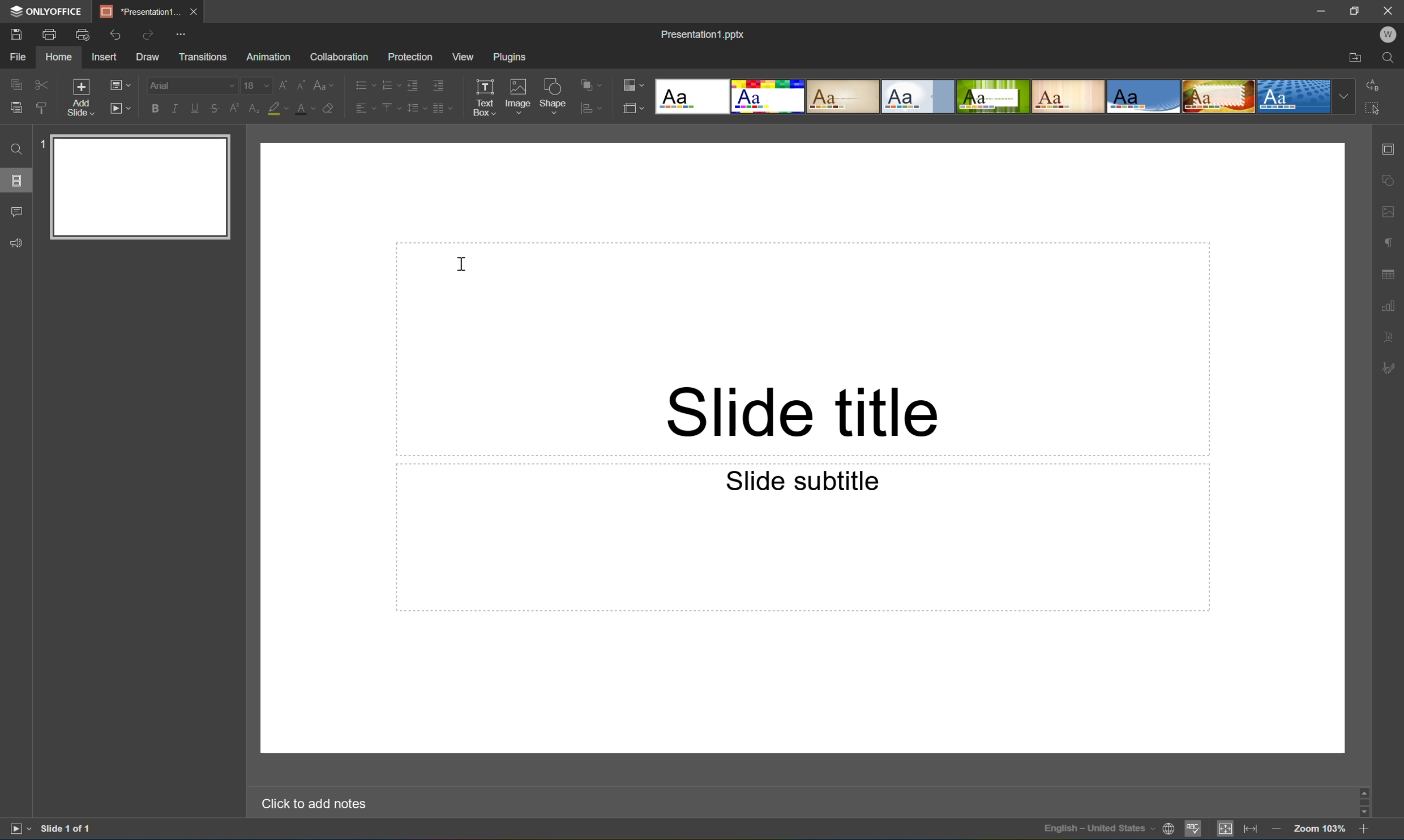 Image resolution: width=1404 pixels, height=840 pixels. What do you see at coordinates (1392, 181) in the screenshot?
I see `Shape settings` at bounding box center [1392, 181].